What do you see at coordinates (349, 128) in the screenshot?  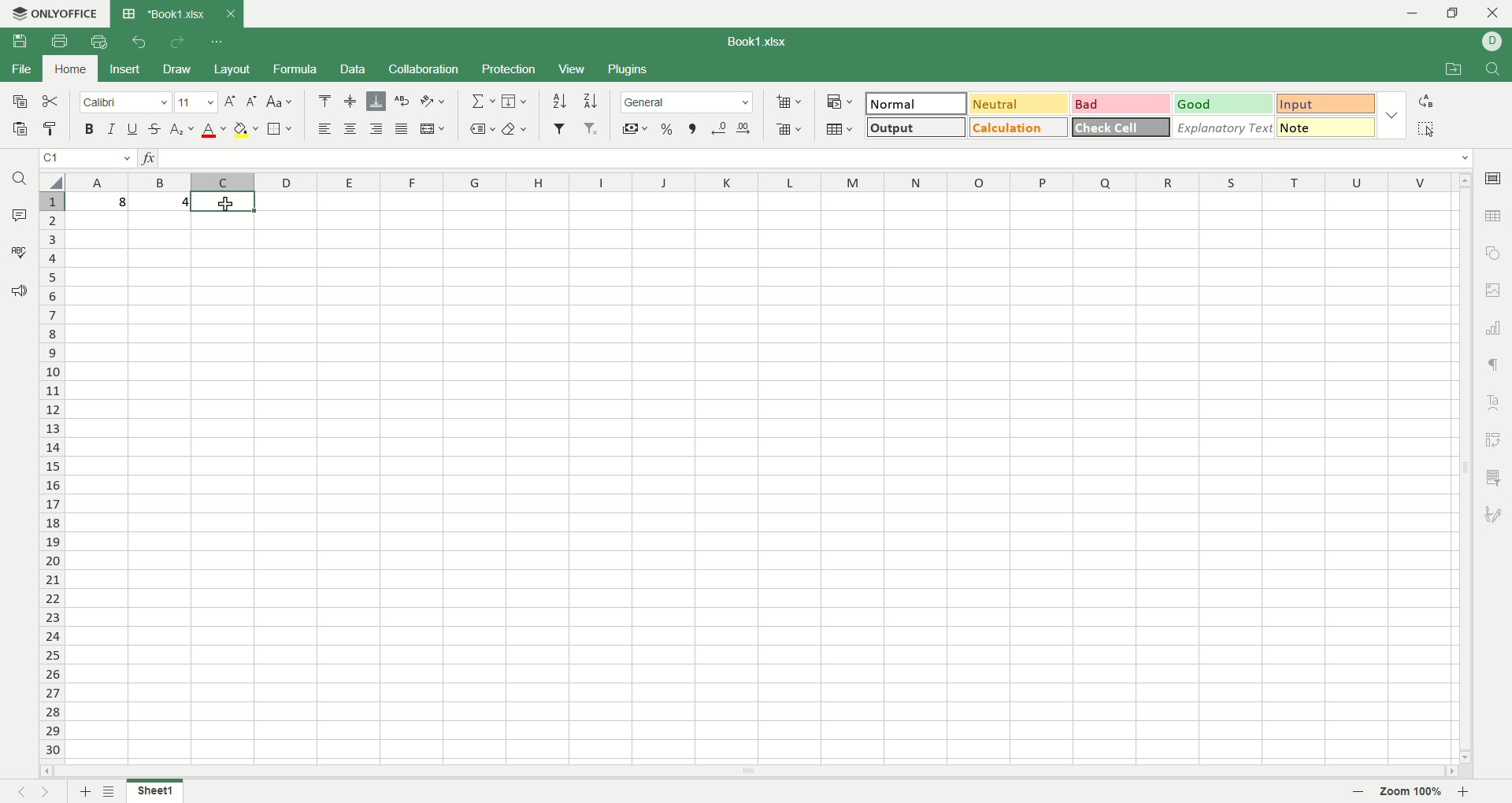 I see `align center` at bounding box center [349, 128].